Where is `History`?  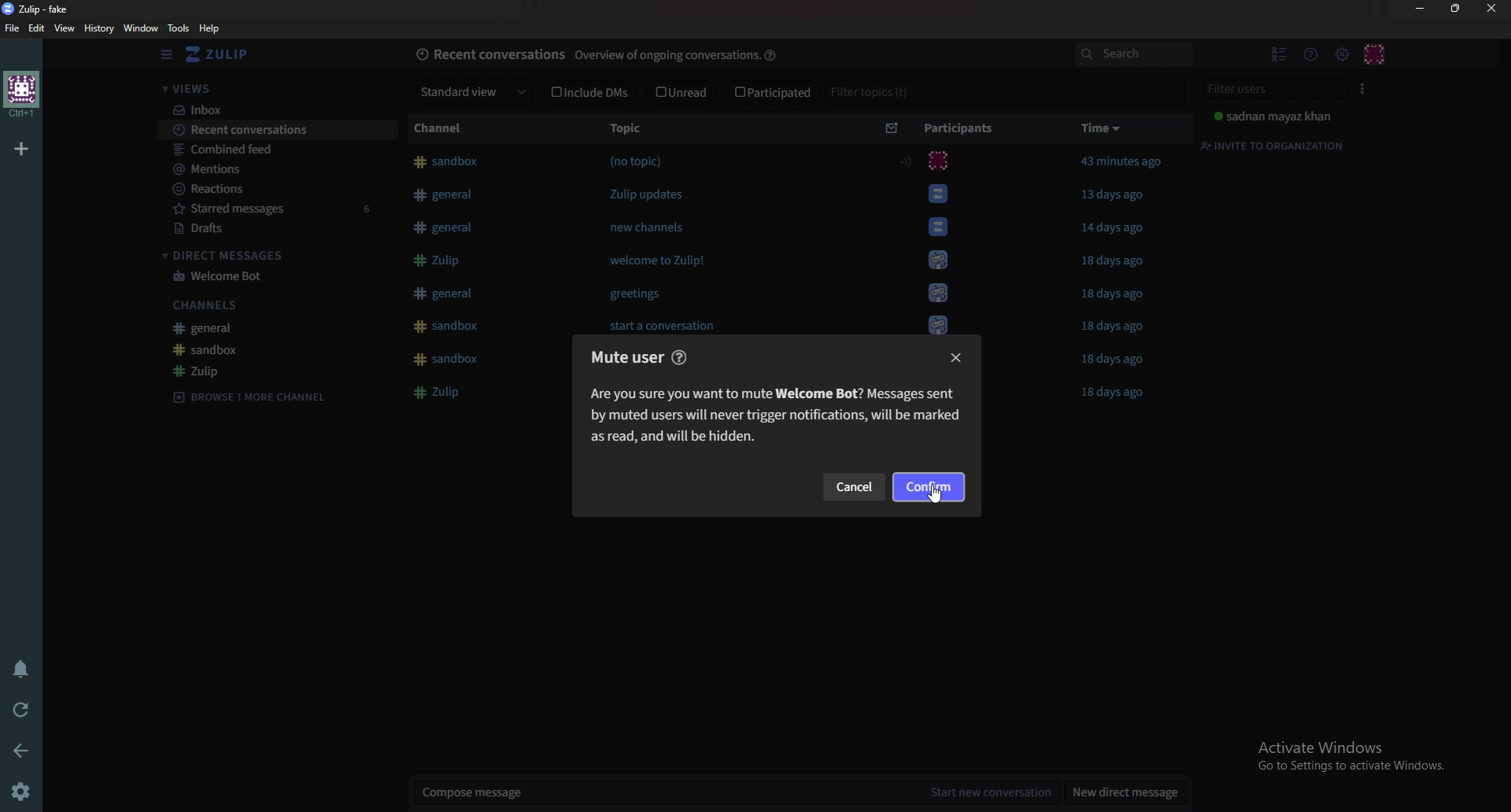
History is located at coordinates (101, 28).